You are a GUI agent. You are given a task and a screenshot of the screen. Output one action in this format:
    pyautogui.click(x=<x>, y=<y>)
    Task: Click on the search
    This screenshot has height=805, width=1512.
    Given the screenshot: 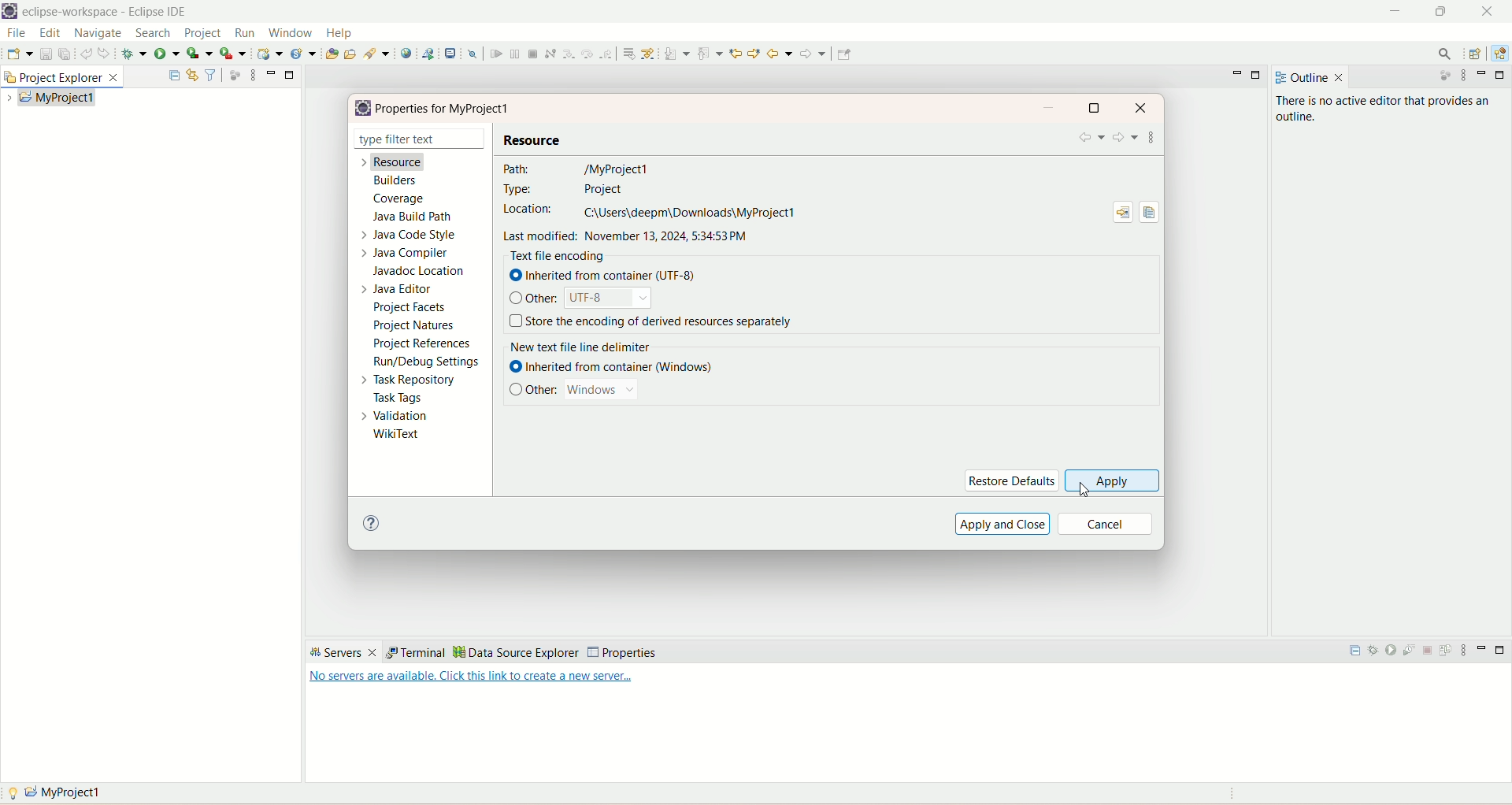 What is the action you would take?
    pyautogui.click(x=153, y=33)
    